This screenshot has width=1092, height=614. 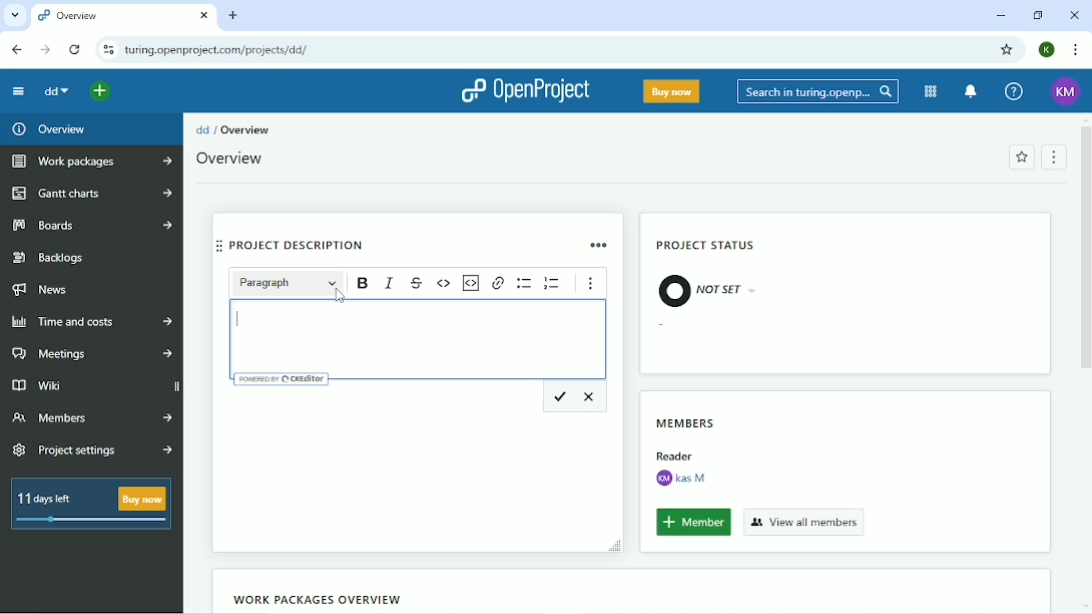 What do you see at coordinates (1074, 49) in the screenshot?
I see `Customize and control google chrome` at bounding box center [1074, 49].